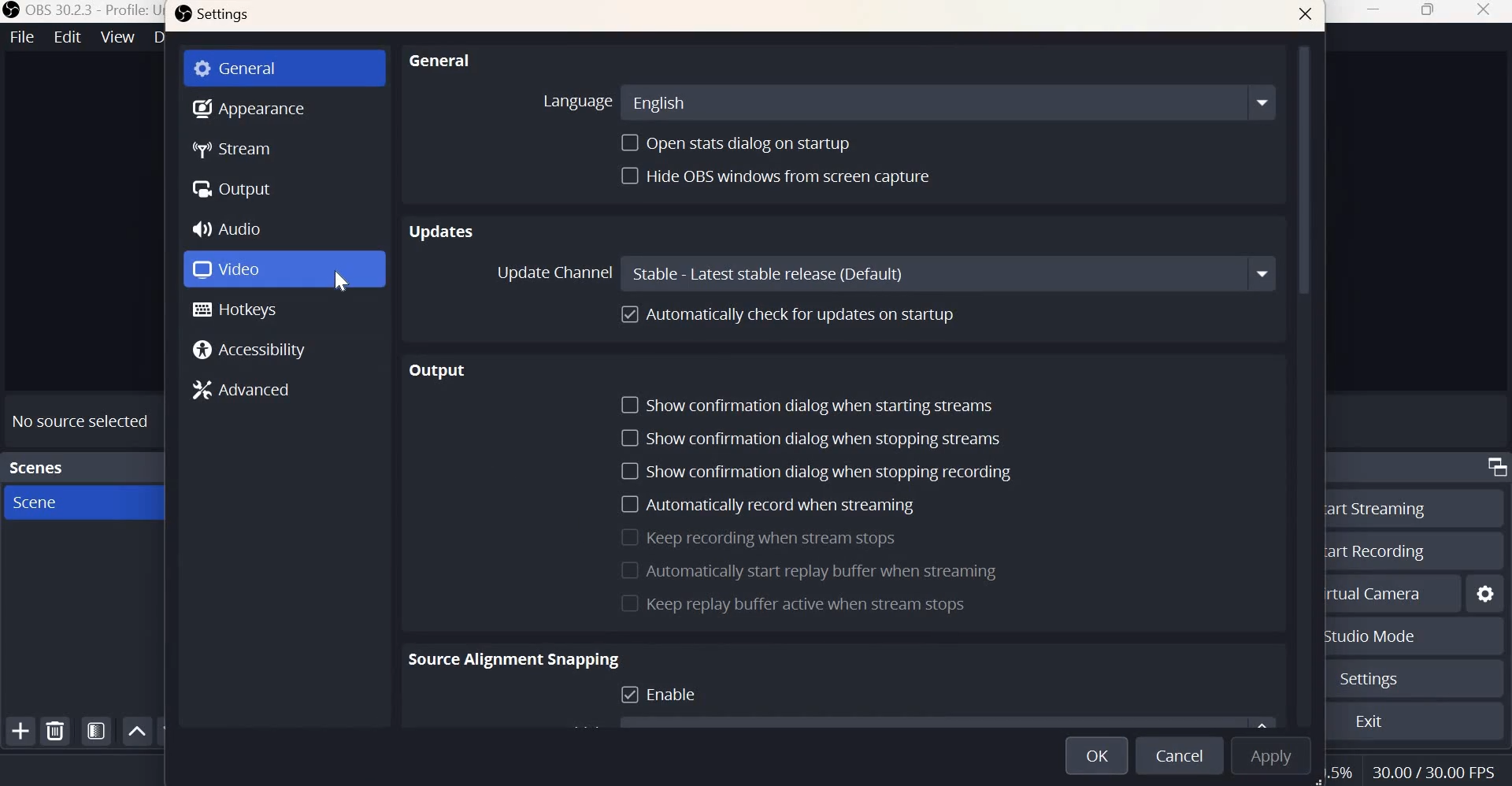  What do you see at coordinates (1180, 757) in the screenshot?
I see `Cancel` at bounding box center [1180, 757].